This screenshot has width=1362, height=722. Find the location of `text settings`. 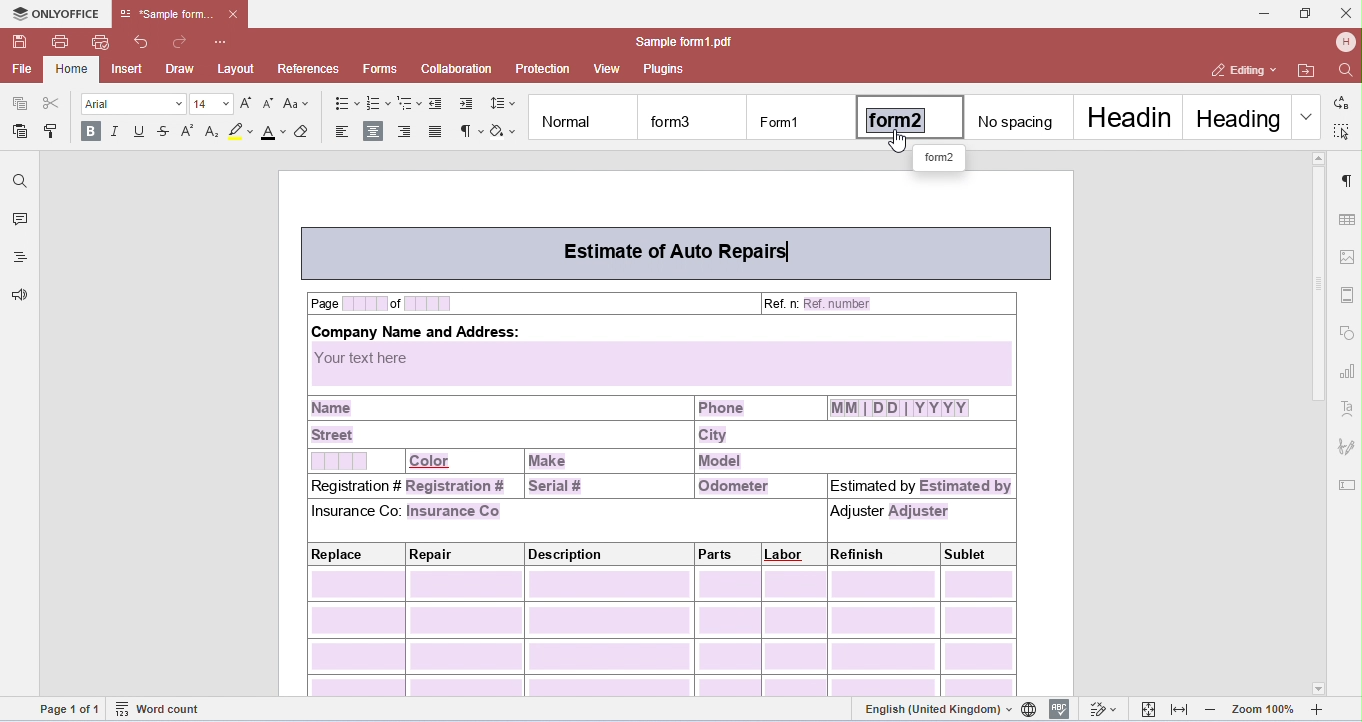

text settings is located at coordinates (1348, 409).